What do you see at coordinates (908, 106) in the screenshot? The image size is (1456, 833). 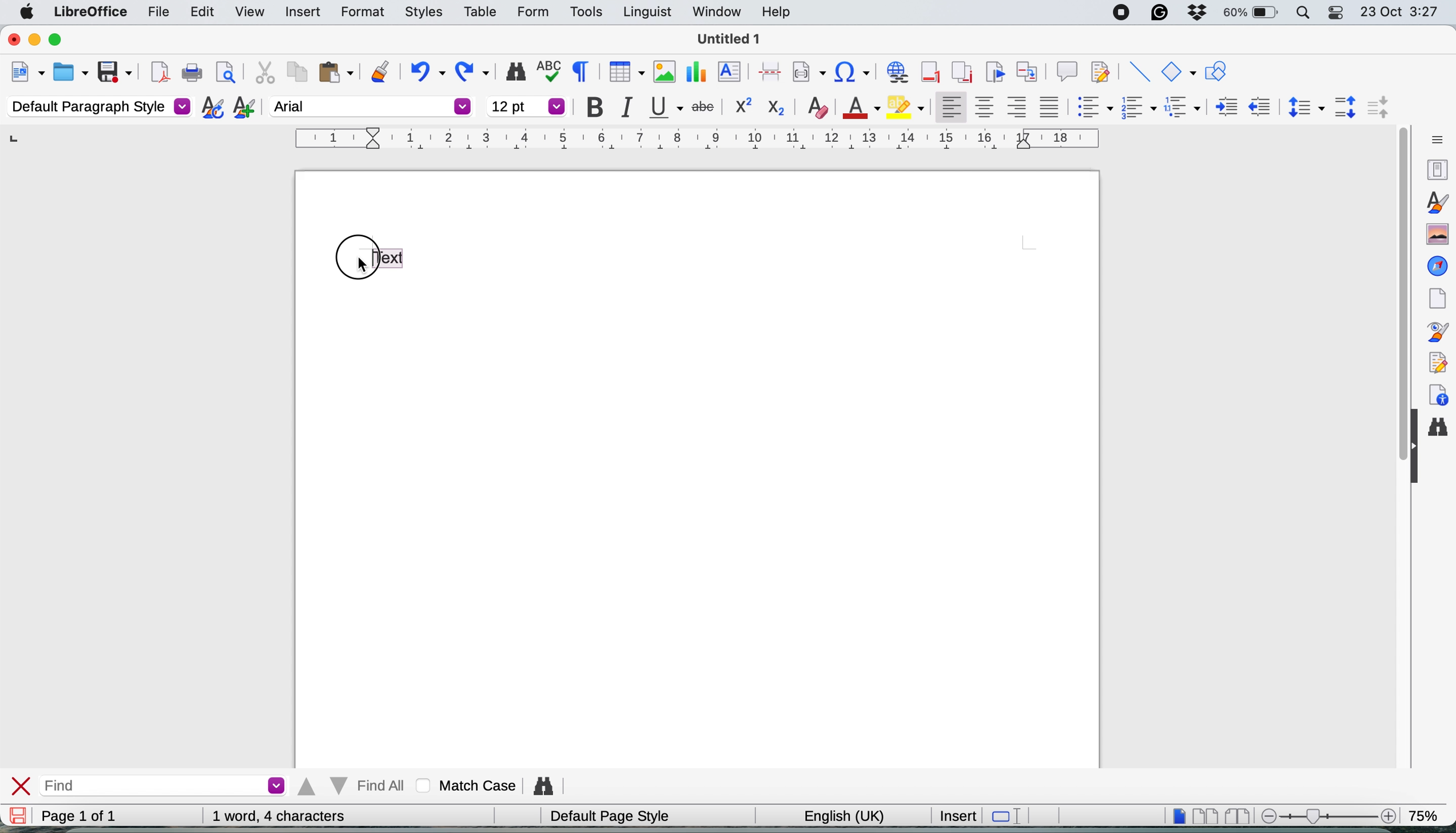 I see `fill color` at bounding box center [908, 106].